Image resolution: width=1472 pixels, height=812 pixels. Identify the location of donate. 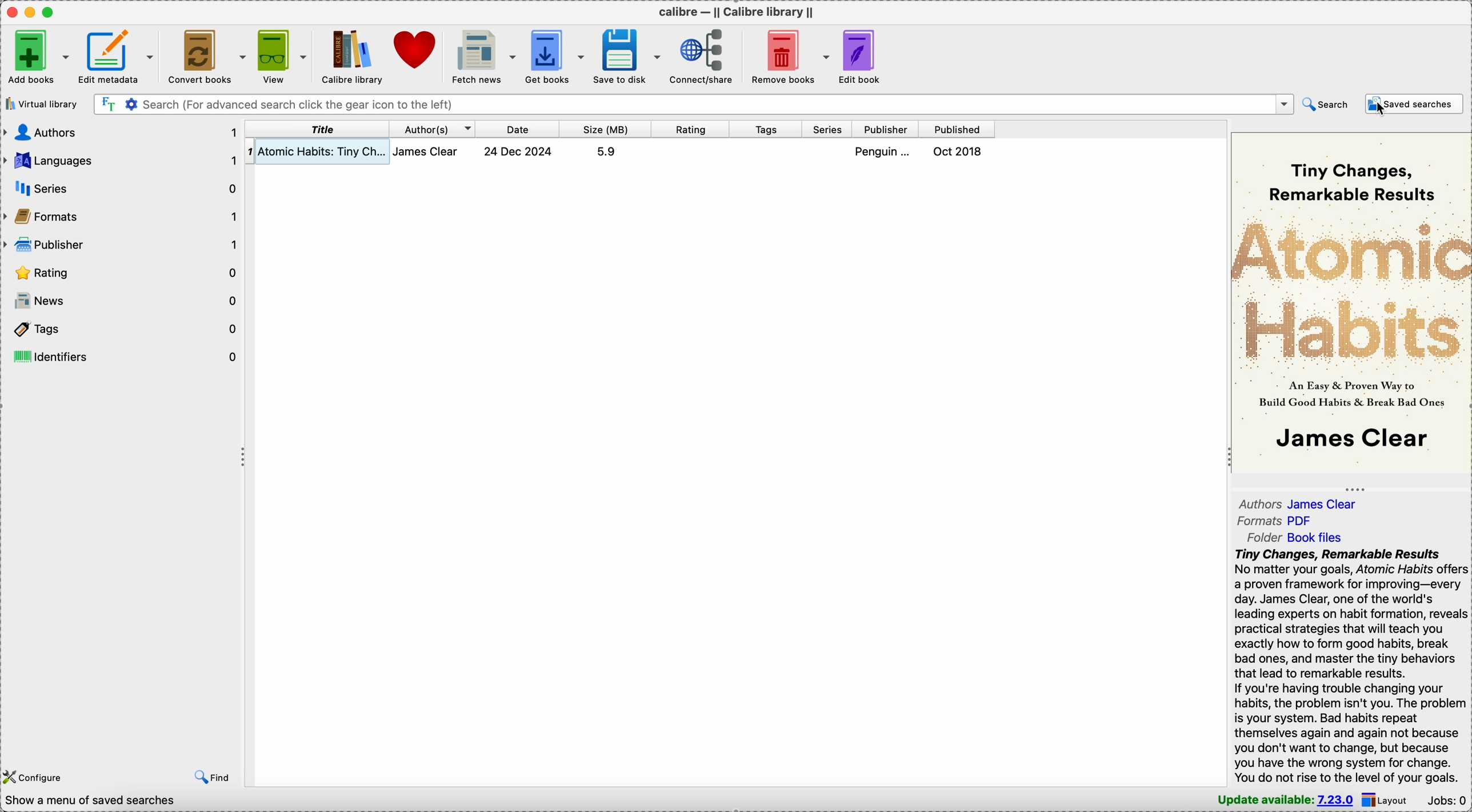
(418, 52).